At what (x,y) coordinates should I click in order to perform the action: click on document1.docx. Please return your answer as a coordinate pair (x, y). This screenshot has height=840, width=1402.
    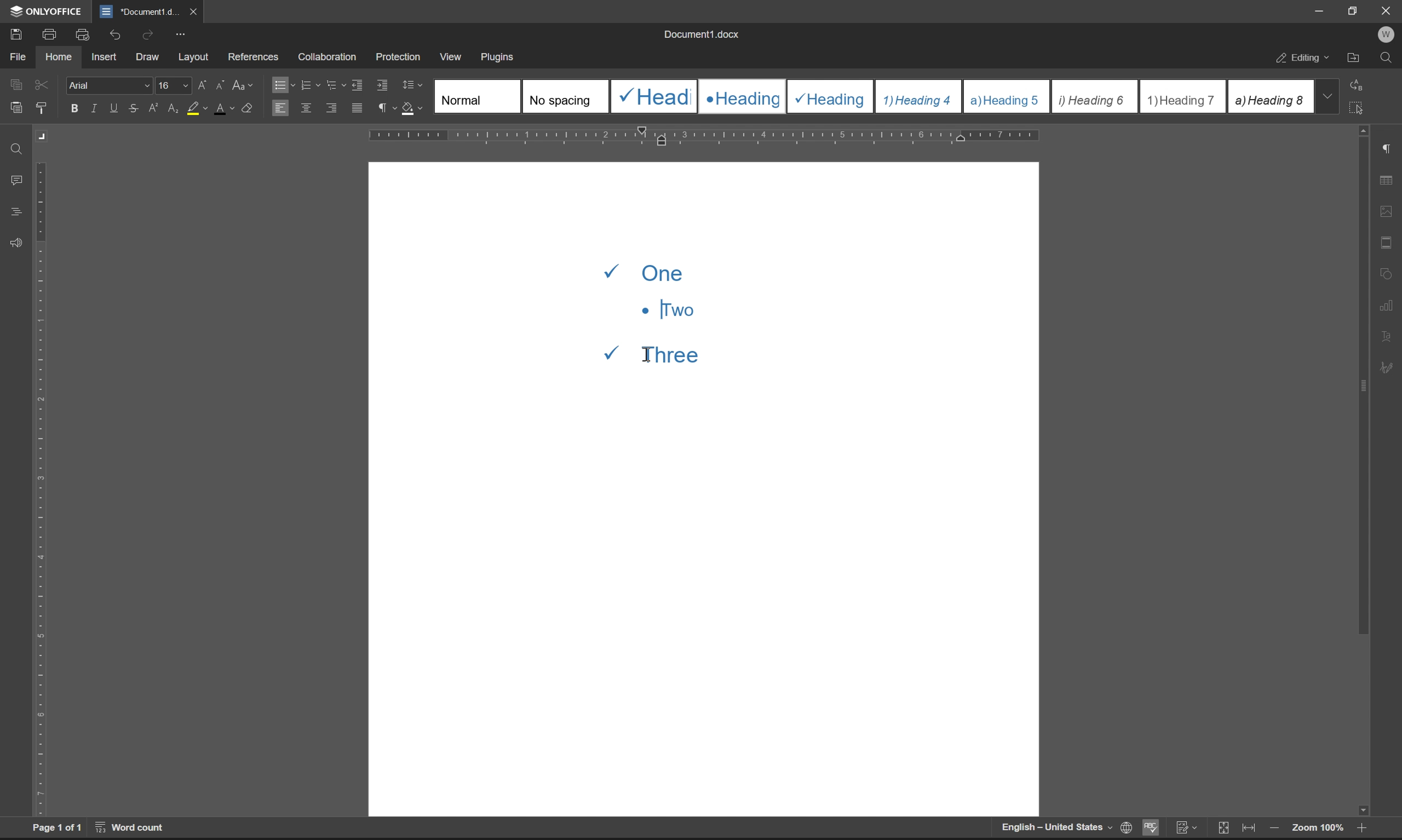
    Looking at the image, I should click on (700, 34).